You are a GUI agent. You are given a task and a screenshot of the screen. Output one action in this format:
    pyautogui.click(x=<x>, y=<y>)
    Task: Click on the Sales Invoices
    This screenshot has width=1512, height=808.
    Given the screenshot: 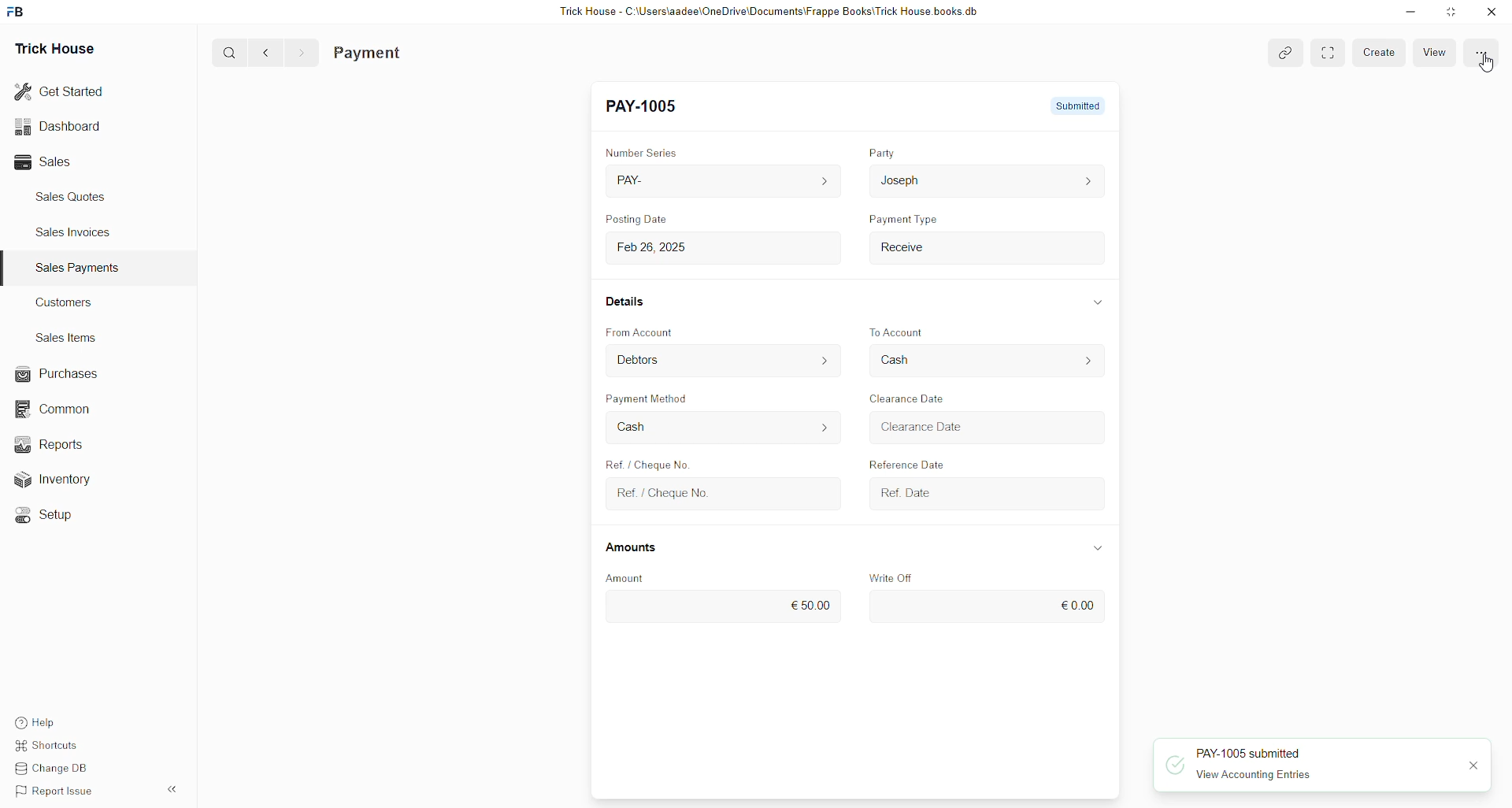 What is the action you would take?
    pyautogui.click(x=78, y=232)
    